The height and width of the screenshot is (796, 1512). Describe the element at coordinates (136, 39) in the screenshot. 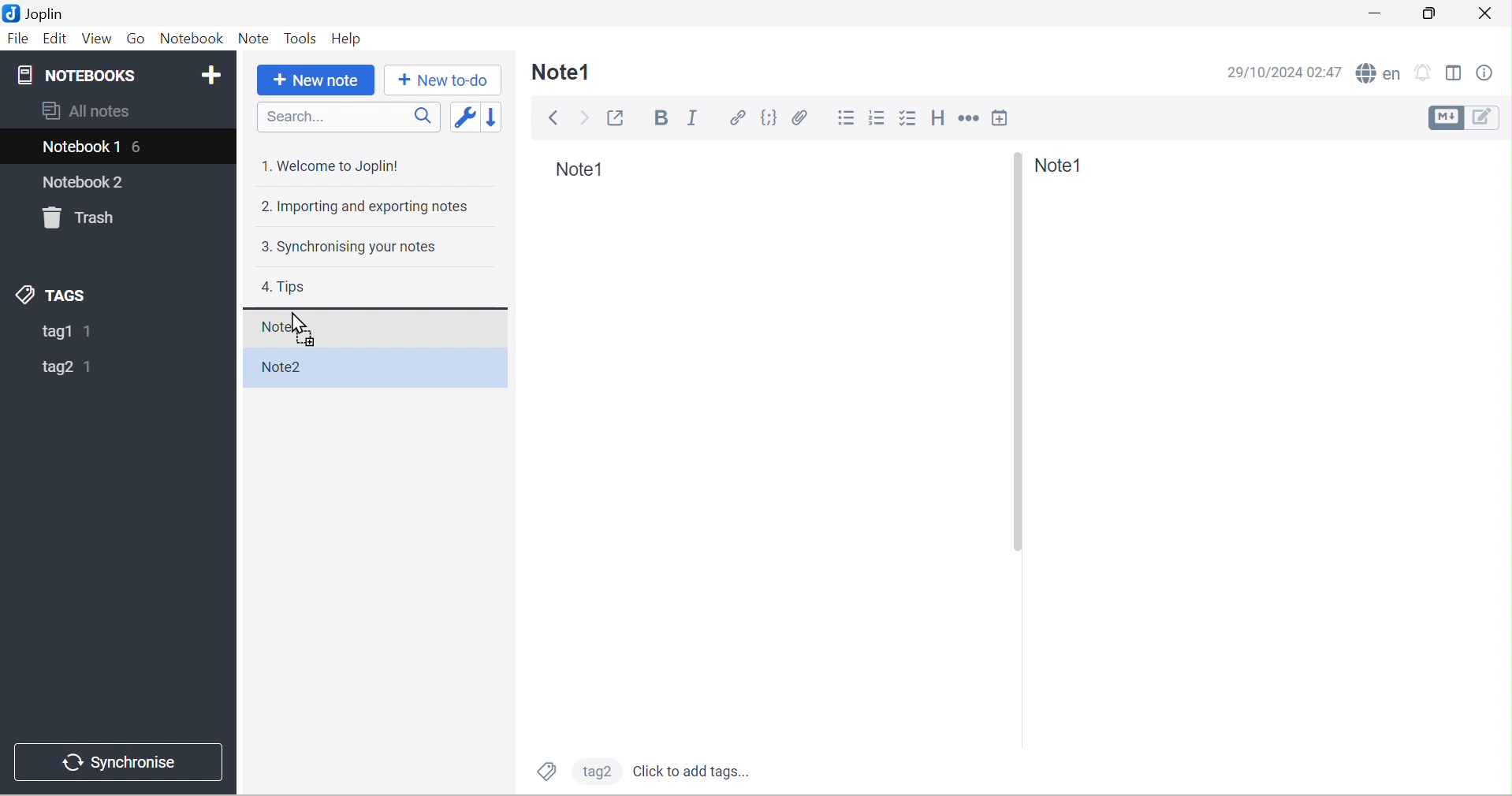

I see `Go` at that location.